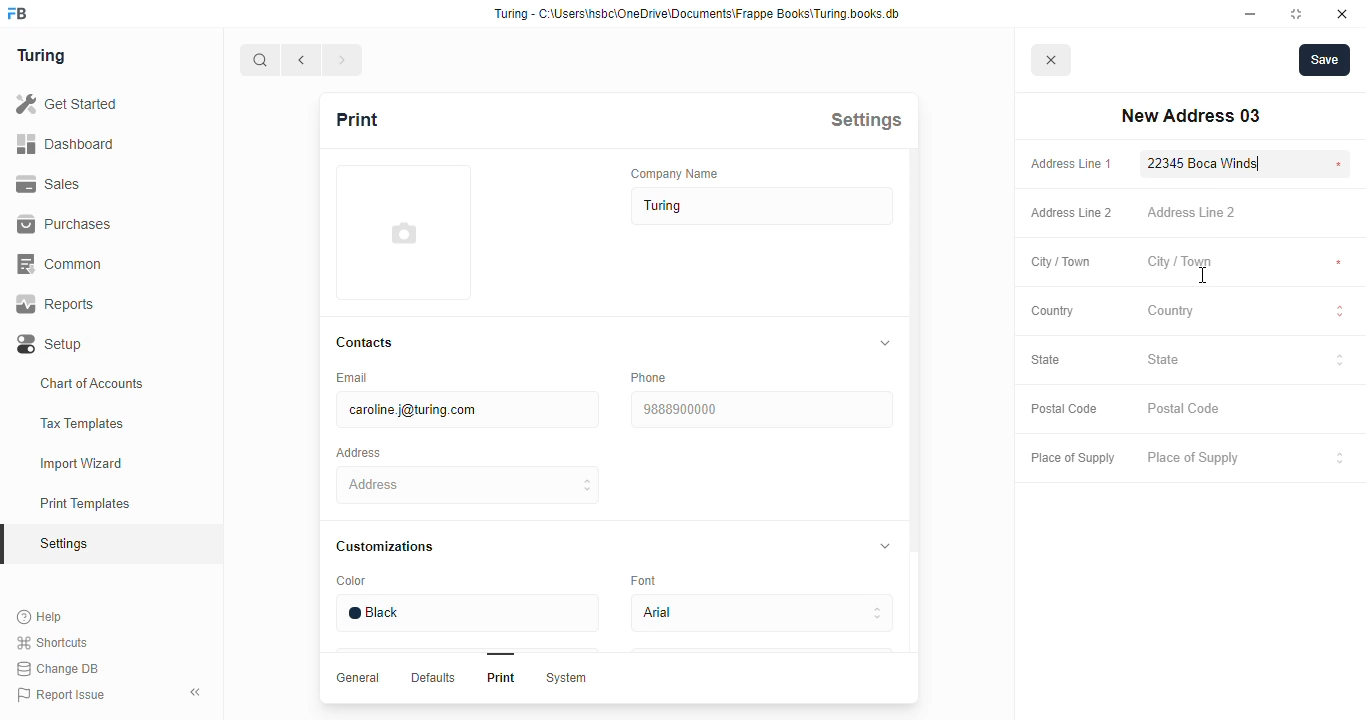 The width and height of the screenshot is (1366, 720). Describe the element at coordinates (1052, 61) in the screenshot. I see `cancel` at that location.